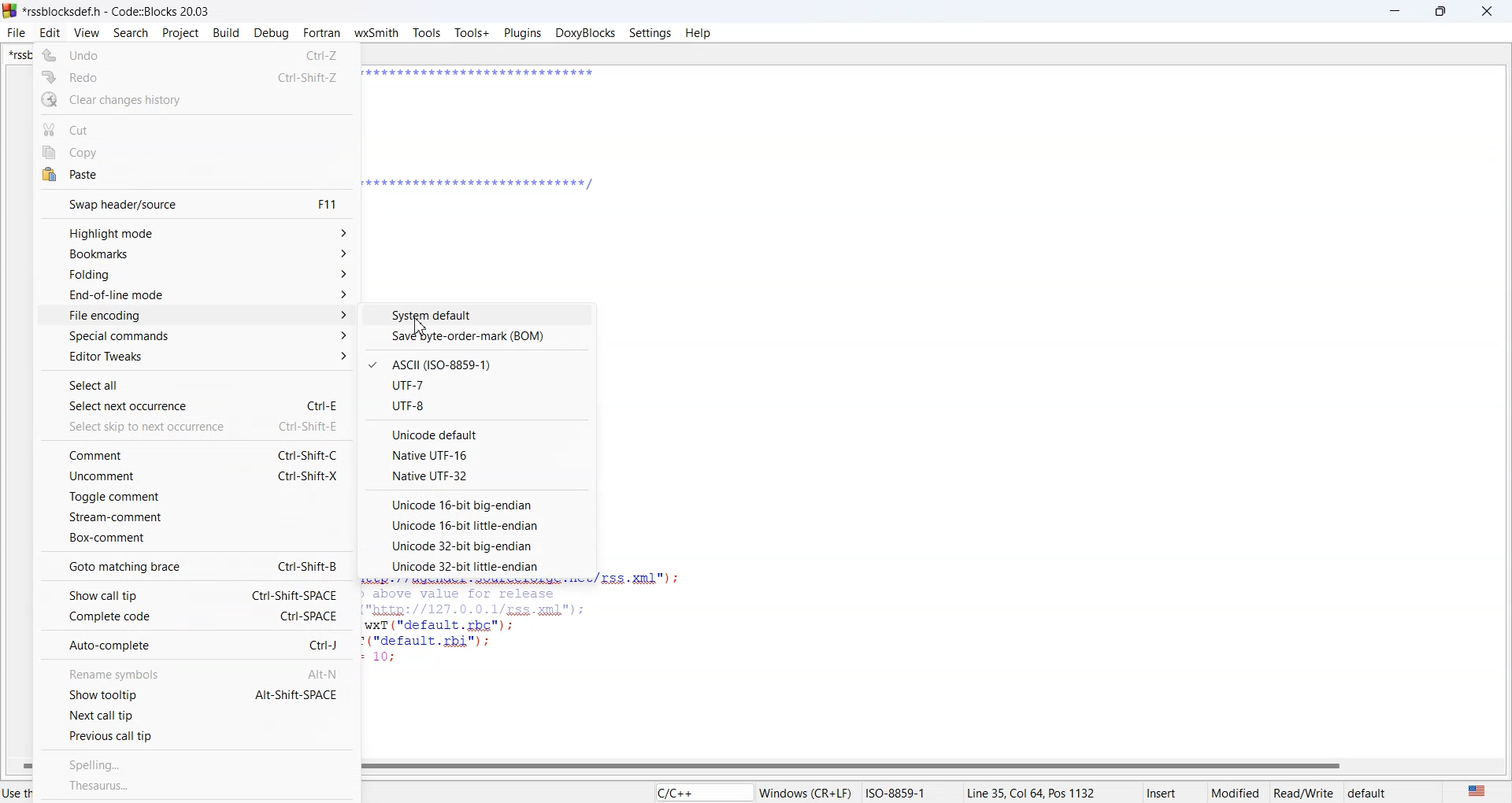 This screenshot has height=803, width=1512. Describe the element at coordinates (475, 566) in the screenshot. I see `Unicode 32-bit little ending` at that location.